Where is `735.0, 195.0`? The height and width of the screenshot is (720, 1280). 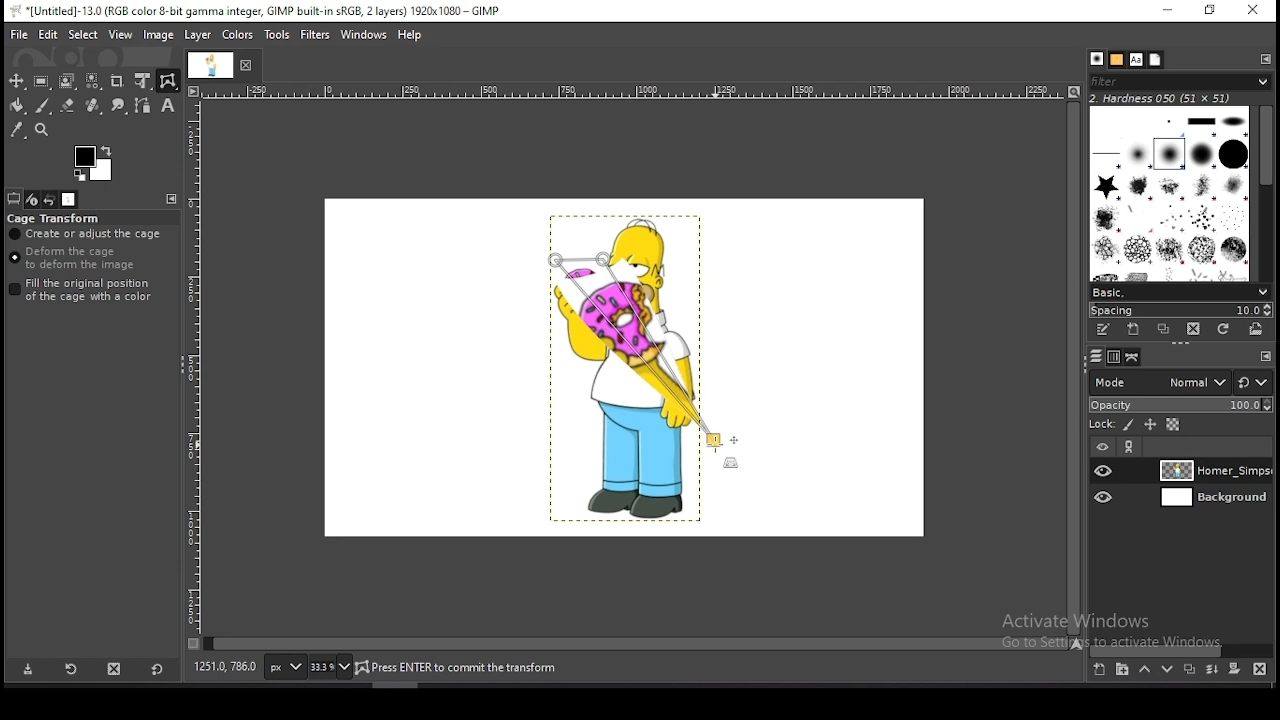 735.0, 195.0 is located at coordinates (225, 665).